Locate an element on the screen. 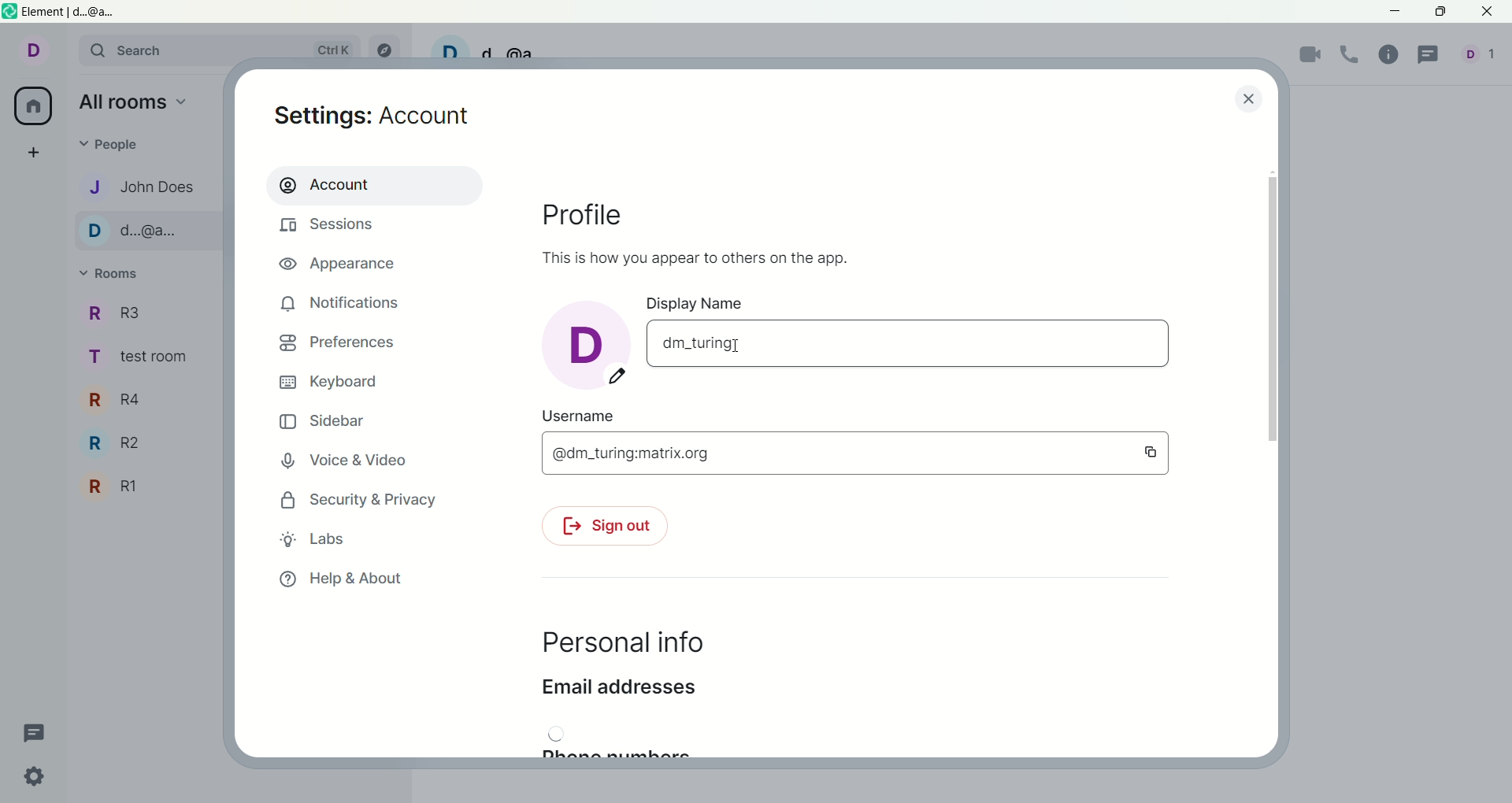 The height and width of the screenshot is (803, 1512). (@dm_turing:matrix.org © is located at coordinates (851, 454).